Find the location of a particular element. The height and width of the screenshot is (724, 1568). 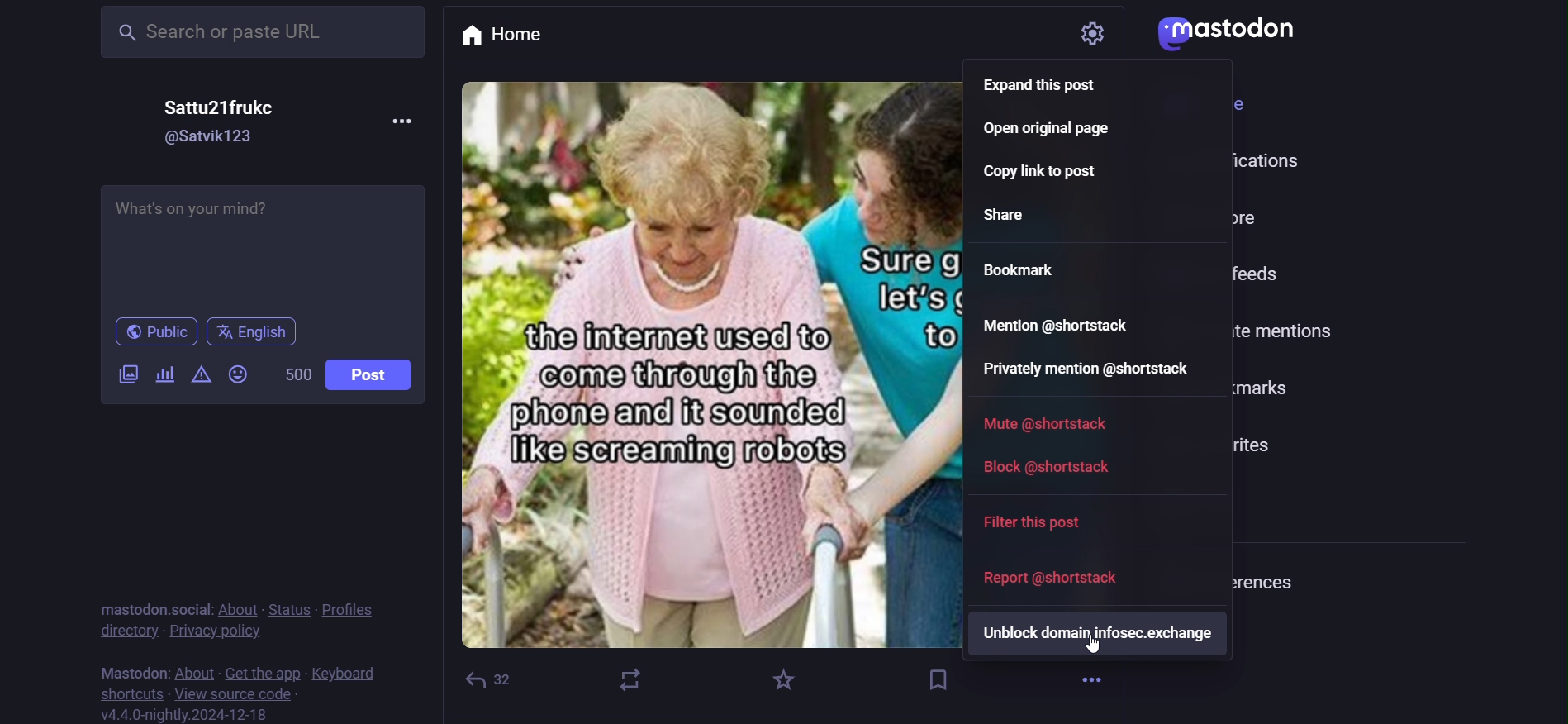

copy link to post is located at coordinates (1035, 173).